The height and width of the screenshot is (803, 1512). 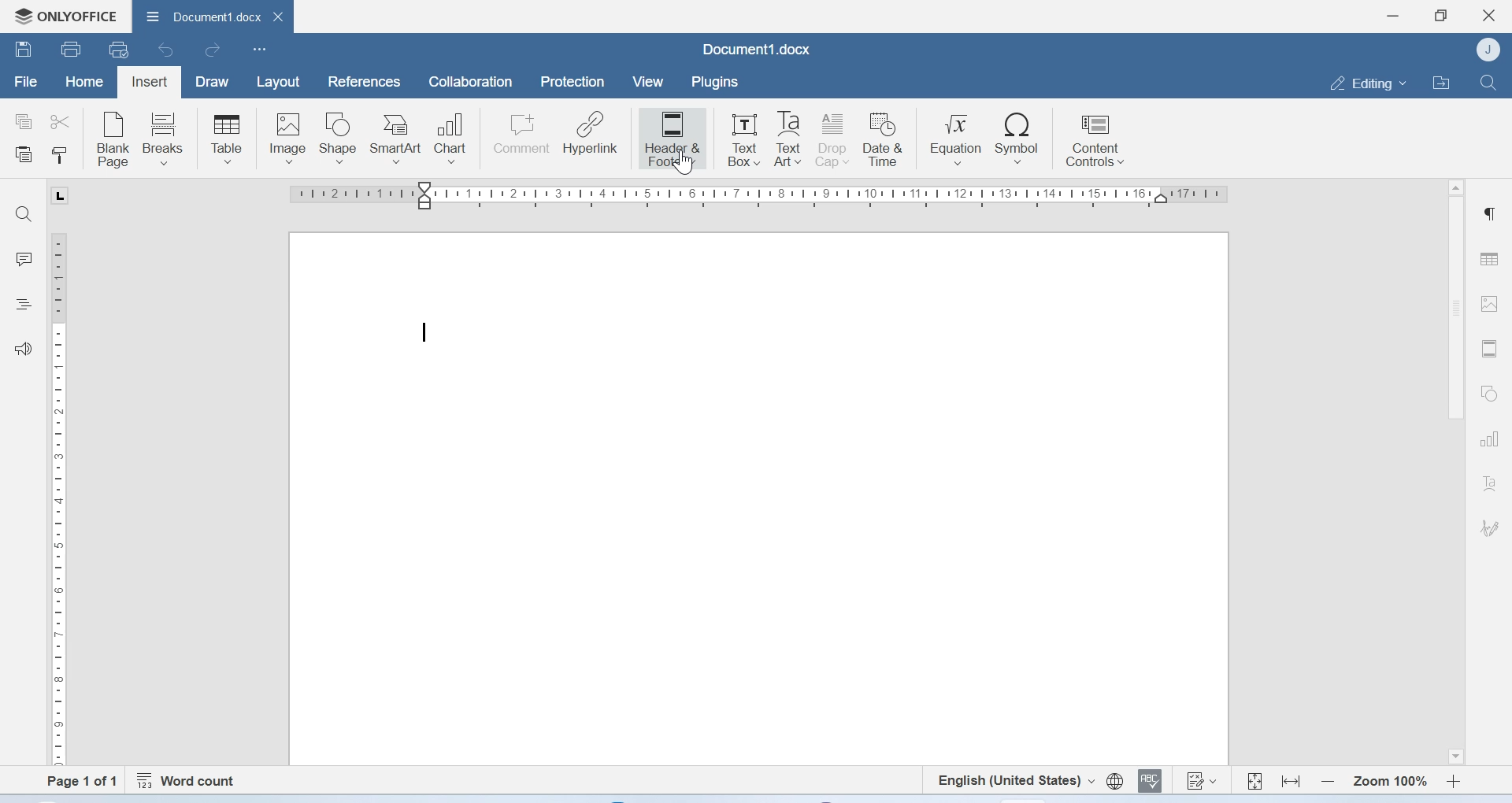 What do you see at coordinates (24, 259) in the screenshot?
I see `Comments` at bounding box center [24, 259].